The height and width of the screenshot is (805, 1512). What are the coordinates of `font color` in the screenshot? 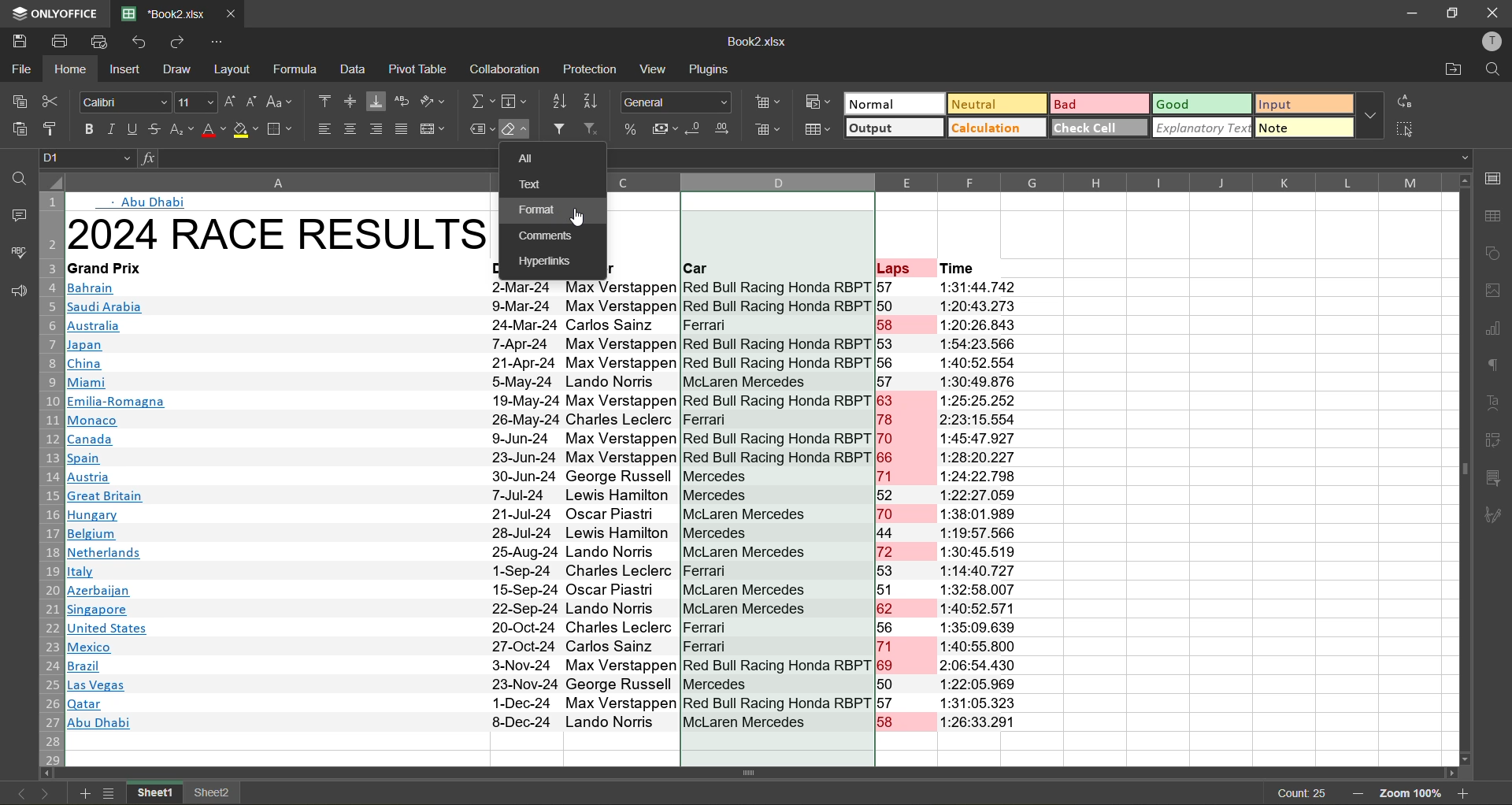 It's located at (213, 130).